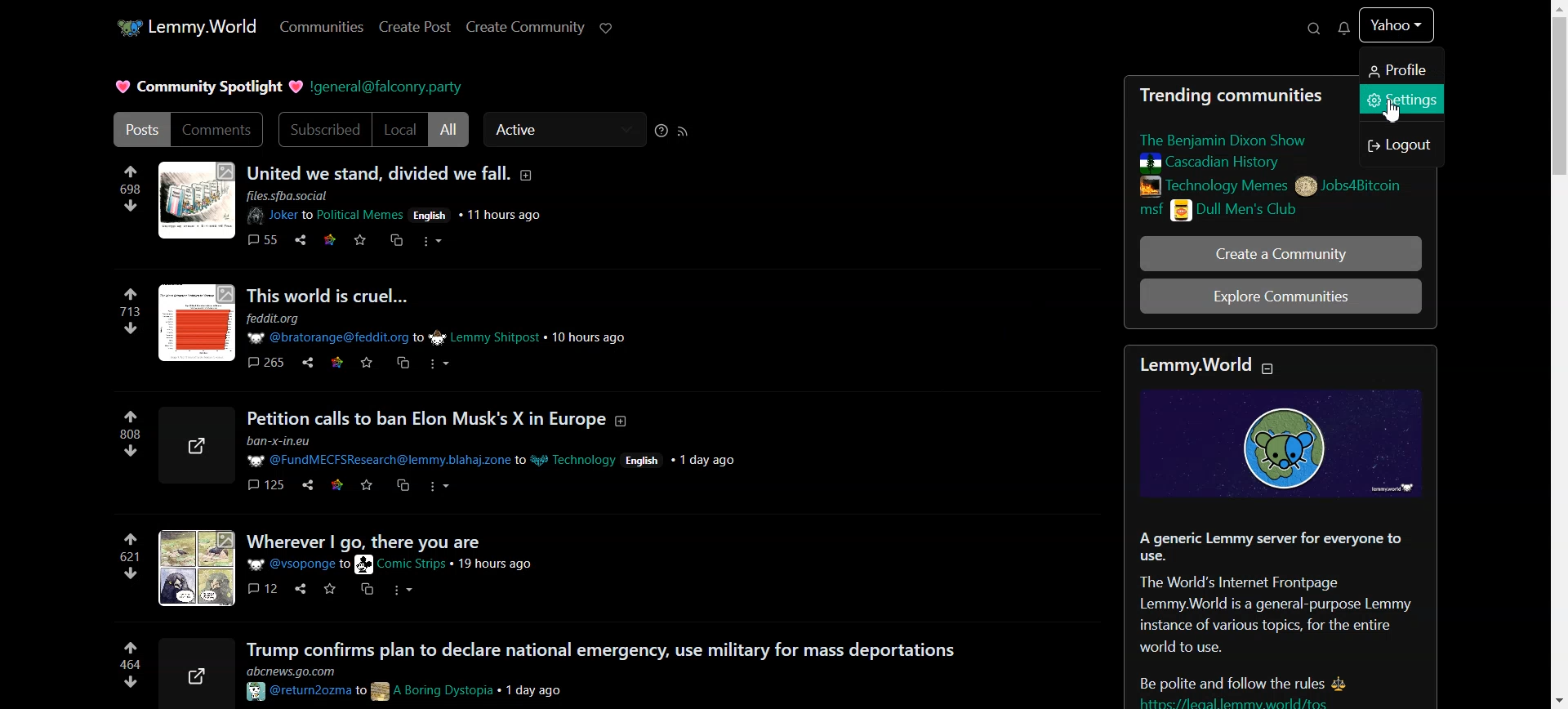 This screenshot has height=709, width=1568. I want to click on profile picture, so click(194, 326).